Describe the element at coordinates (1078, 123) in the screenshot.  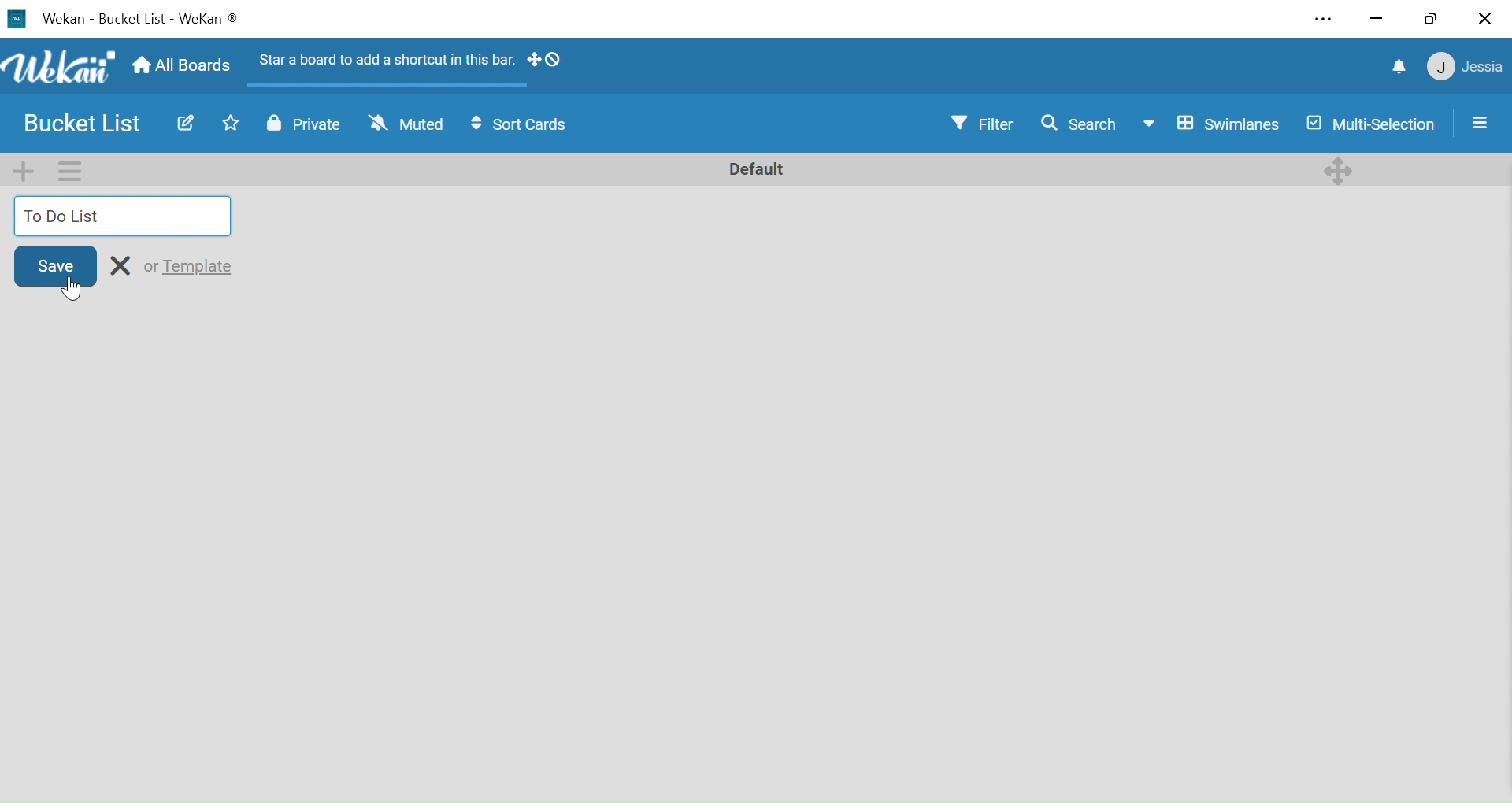
I see `Search` at that location.